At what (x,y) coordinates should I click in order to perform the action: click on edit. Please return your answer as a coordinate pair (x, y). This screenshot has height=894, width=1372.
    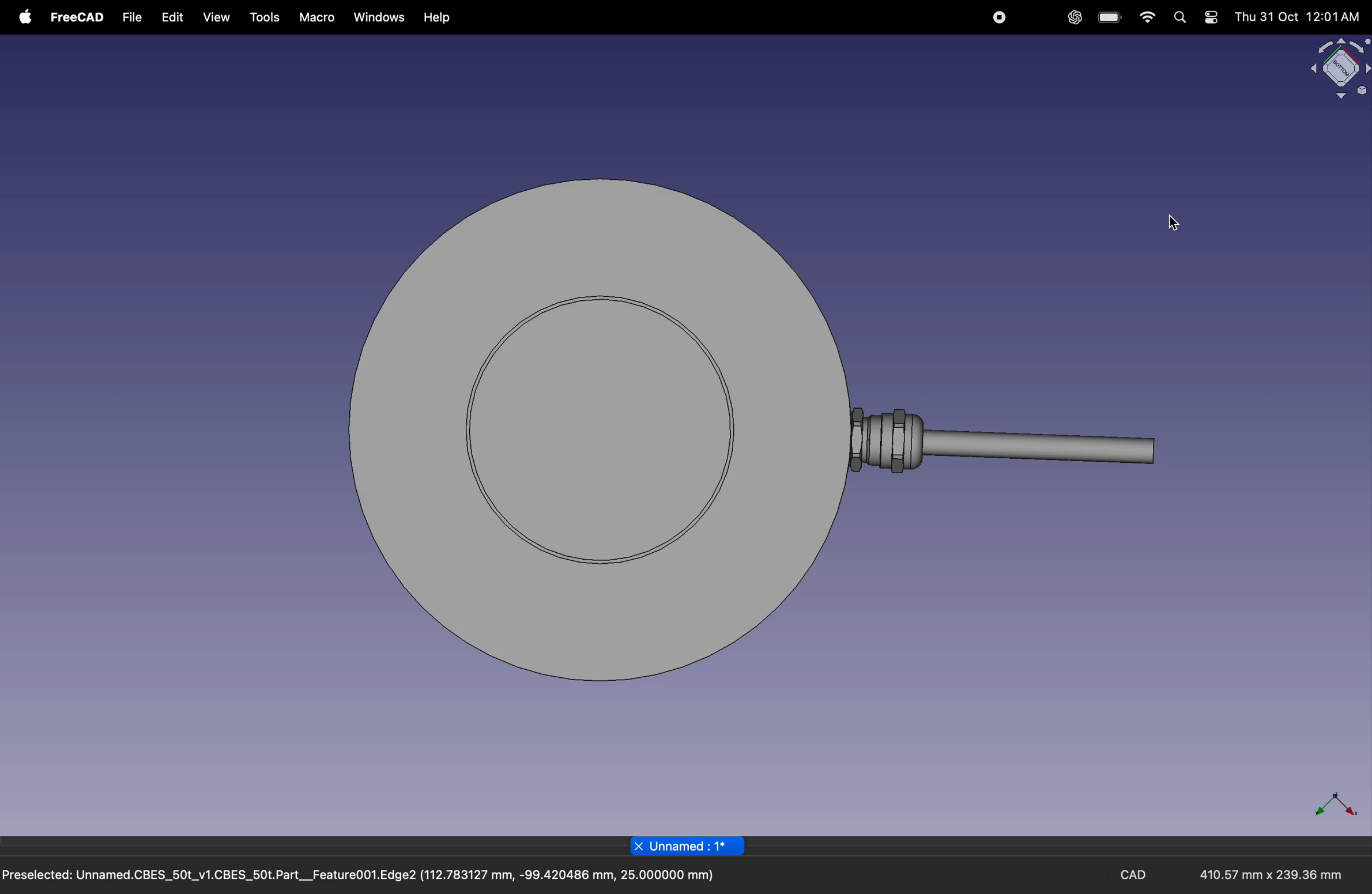
    Looking at the image, I should click on (172, 17).